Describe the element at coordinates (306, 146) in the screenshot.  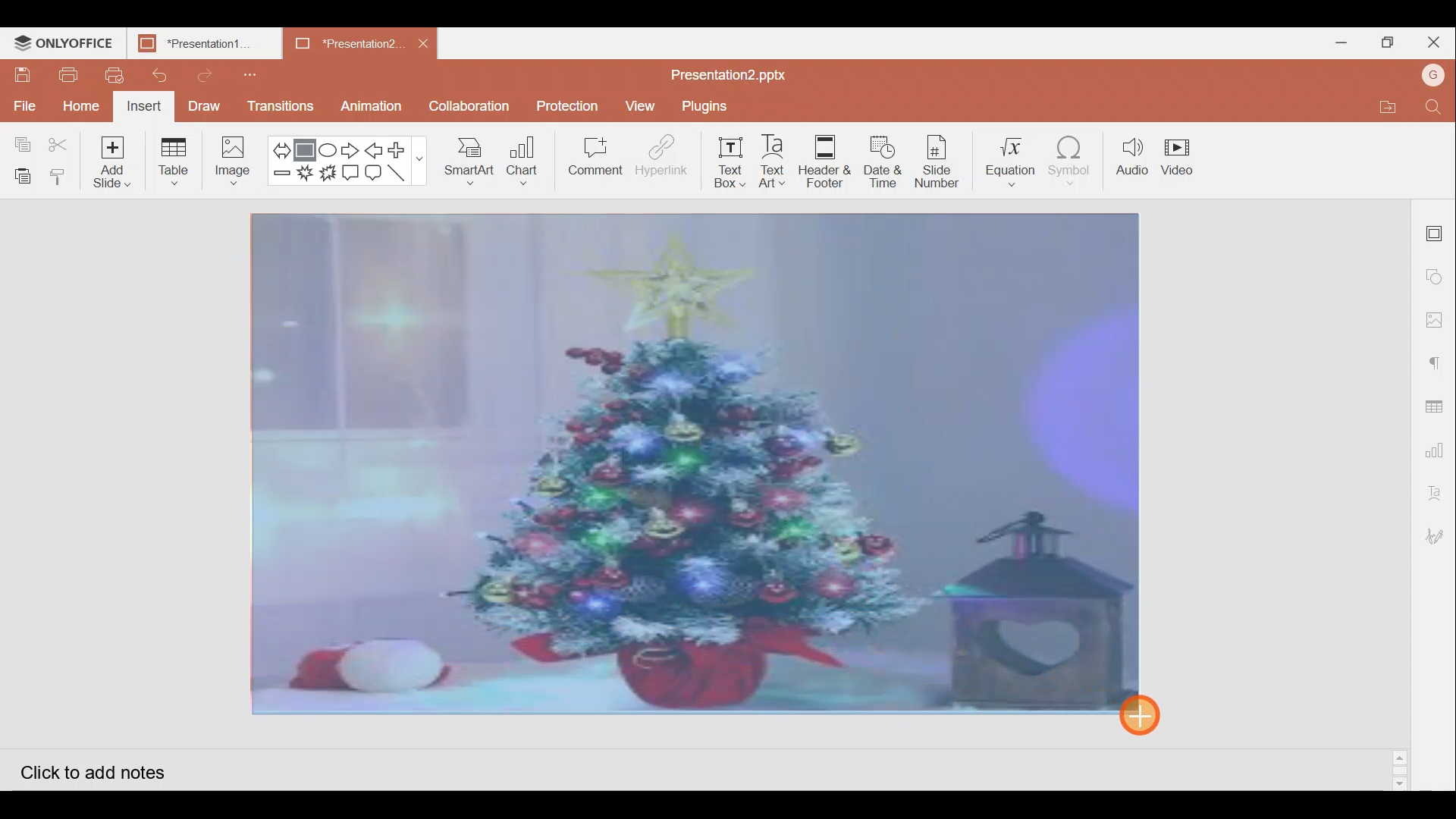
I see `Rectangle` at that location.